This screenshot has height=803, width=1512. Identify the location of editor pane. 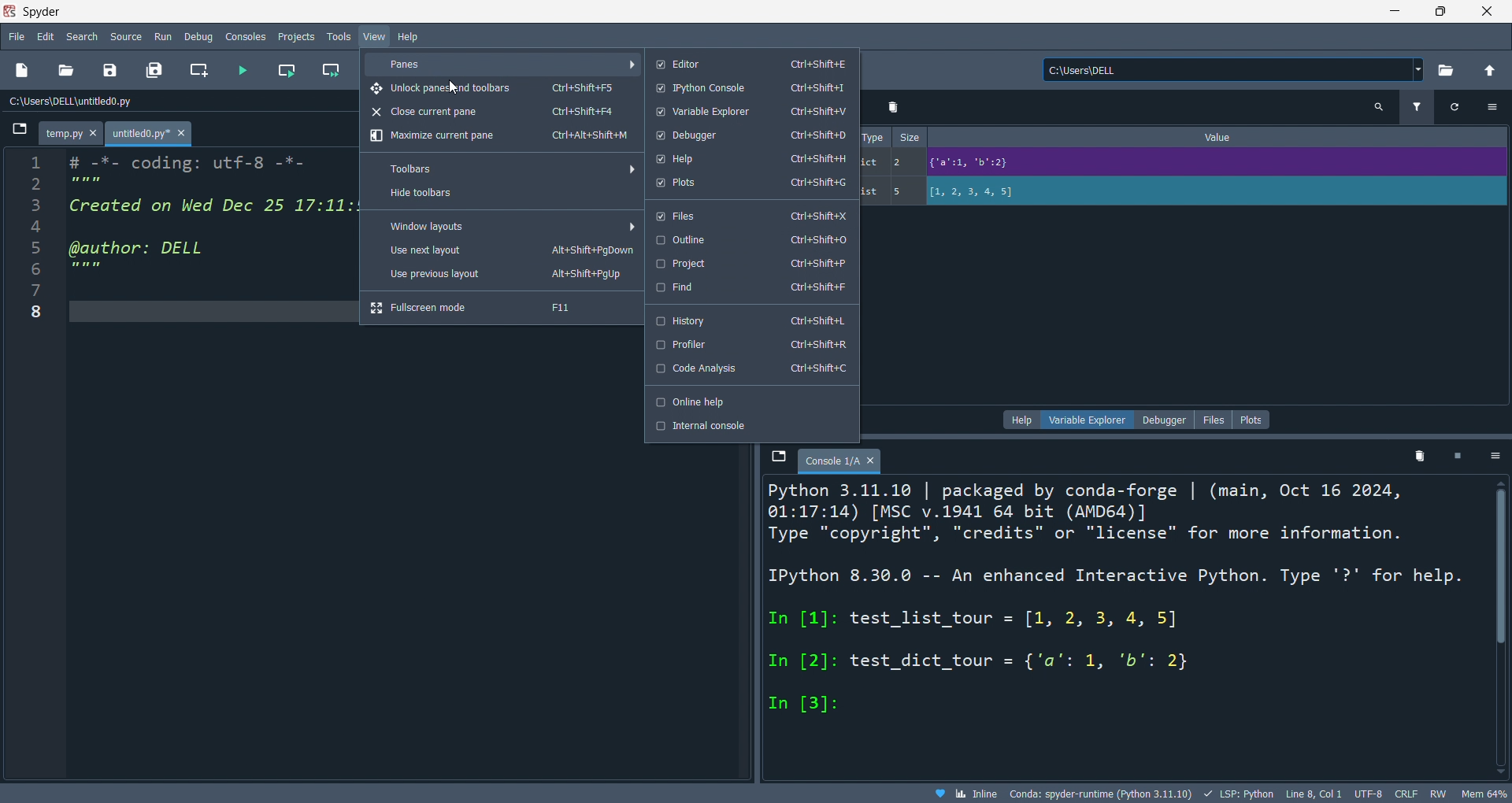
(212, 222).